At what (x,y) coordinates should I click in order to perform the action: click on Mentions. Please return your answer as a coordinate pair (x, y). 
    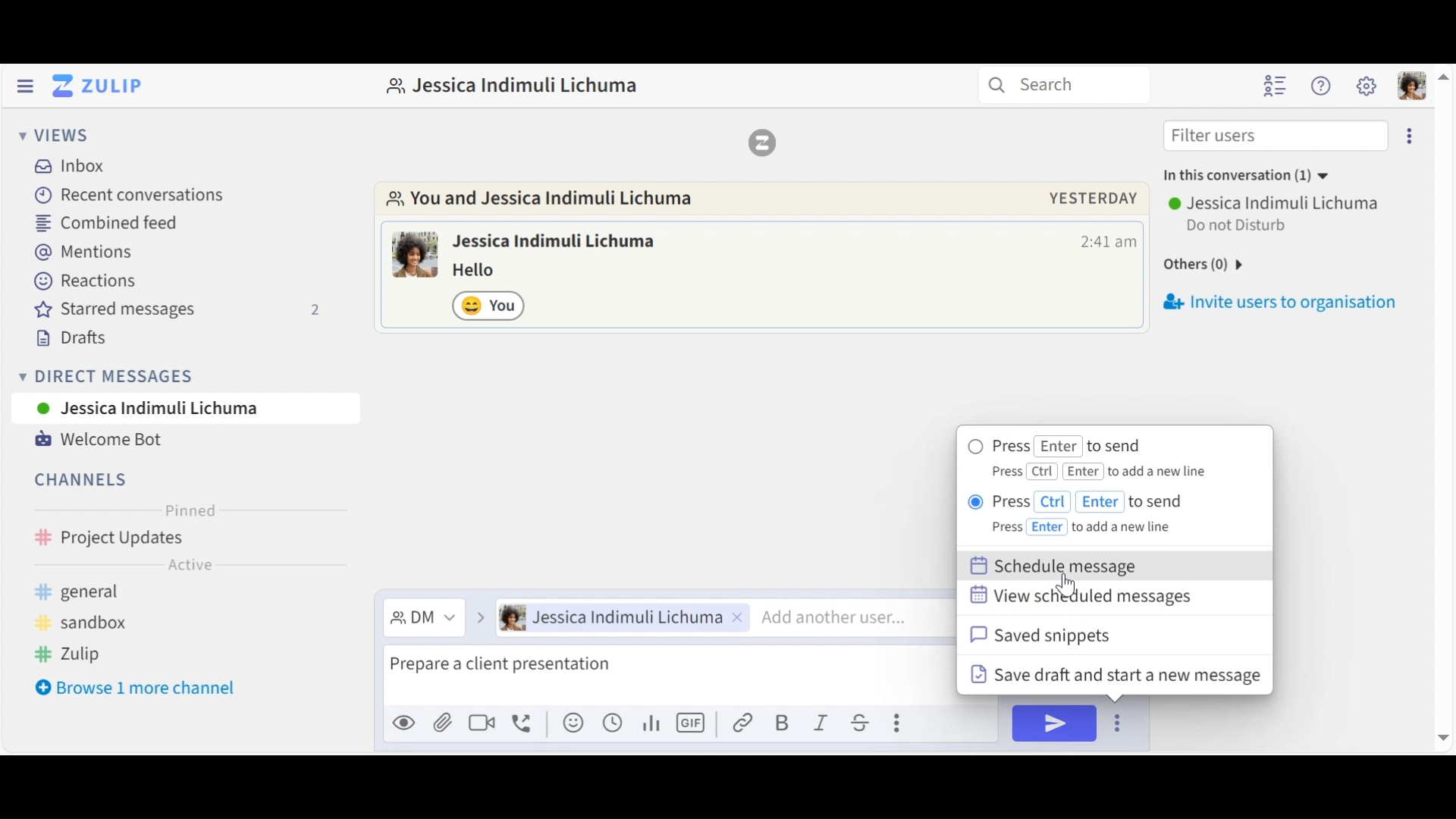
    Looking at the image, I should click on (86, 253).